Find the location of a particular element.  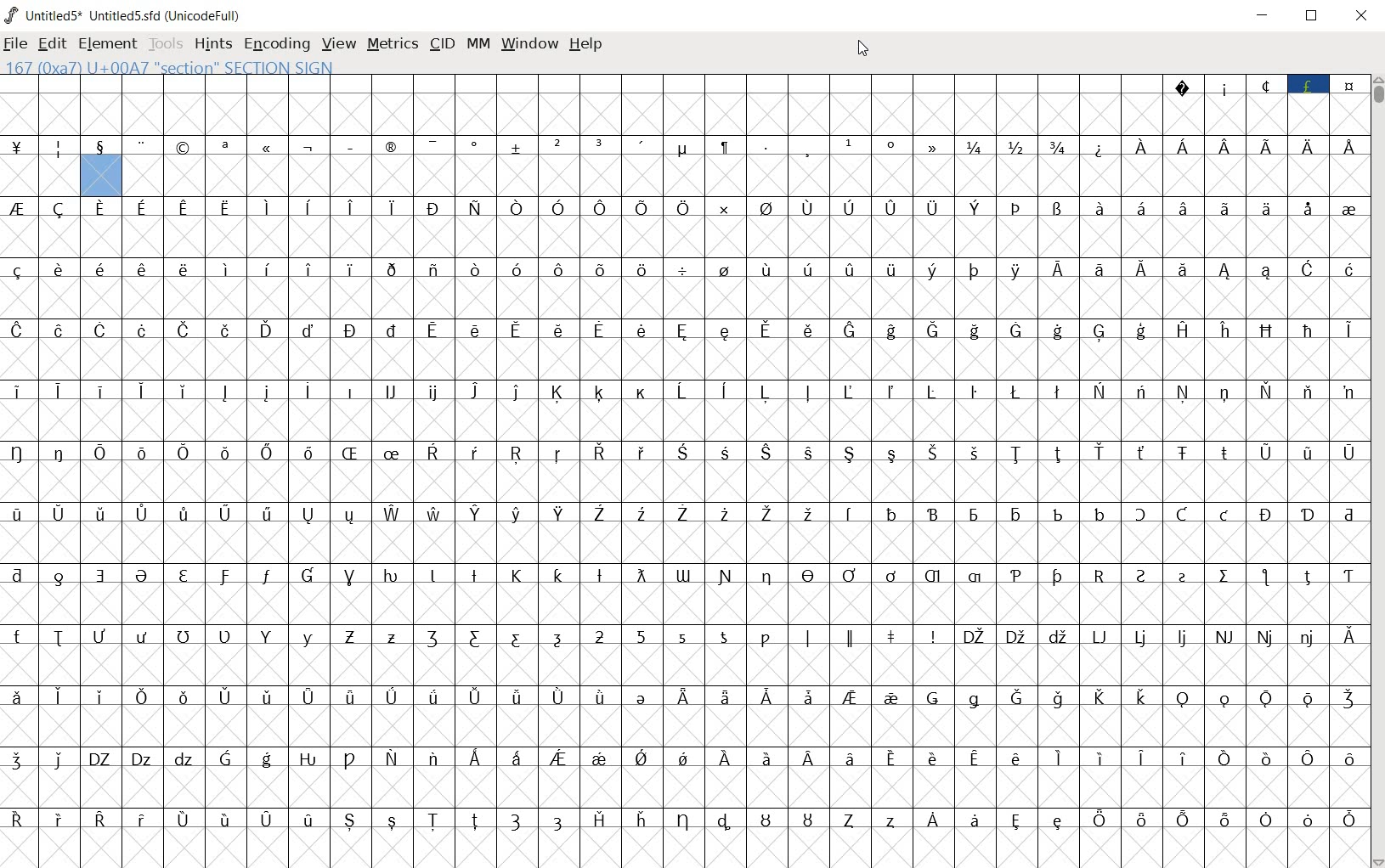

window is located at coordinates (529, 42).